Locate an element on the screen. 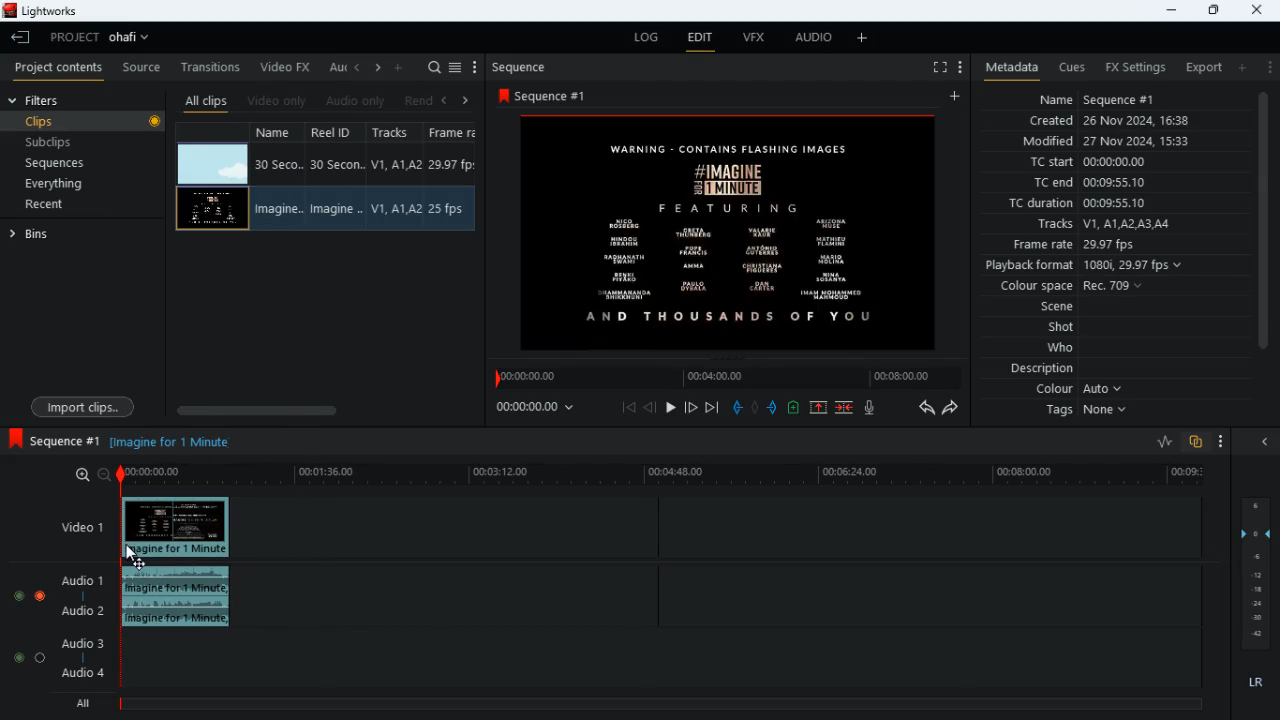  time is located at coordinates (539, 408).